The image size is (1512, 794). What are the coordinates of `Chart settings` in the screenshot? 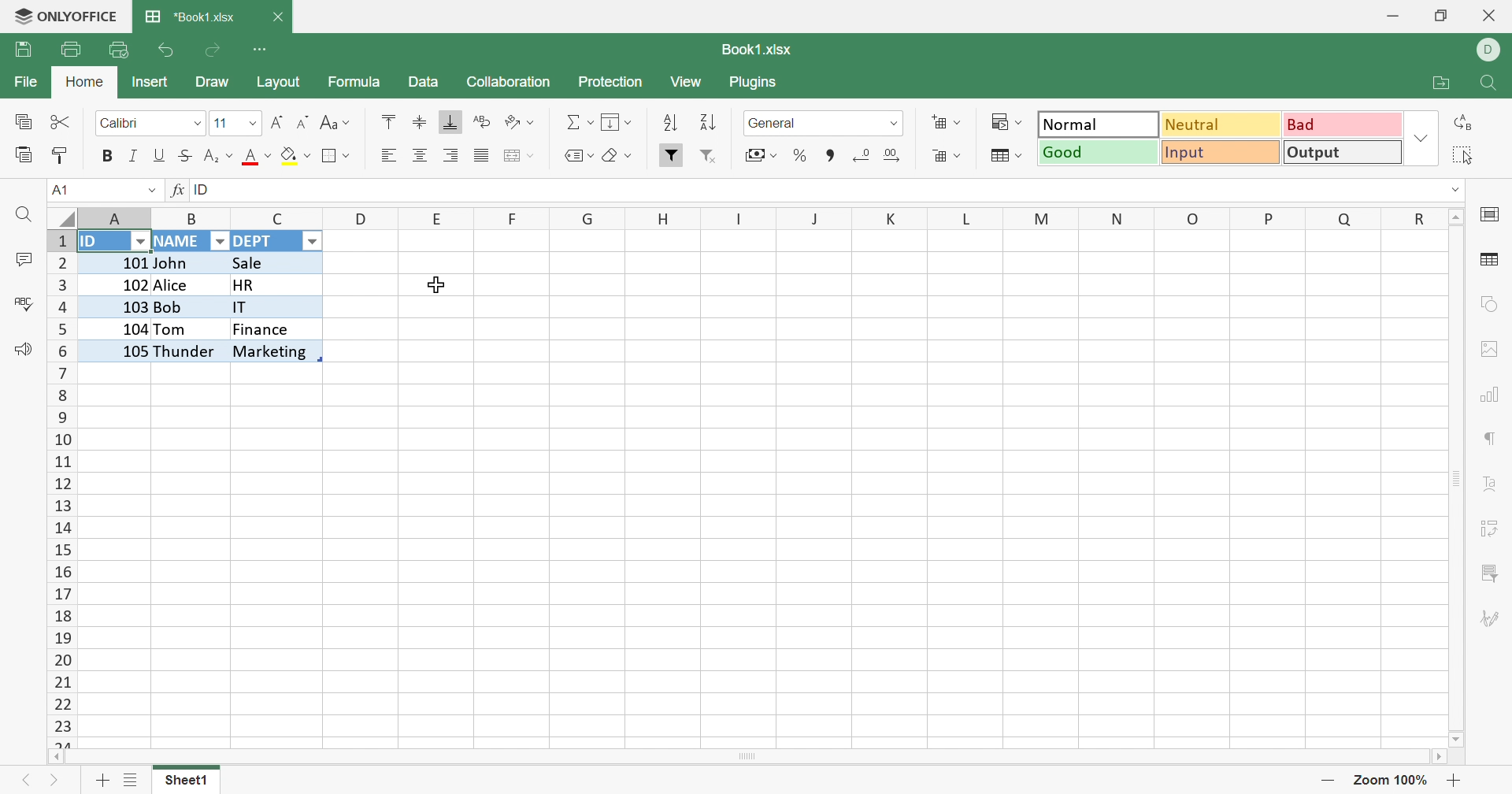 It's located at (1485, 395).